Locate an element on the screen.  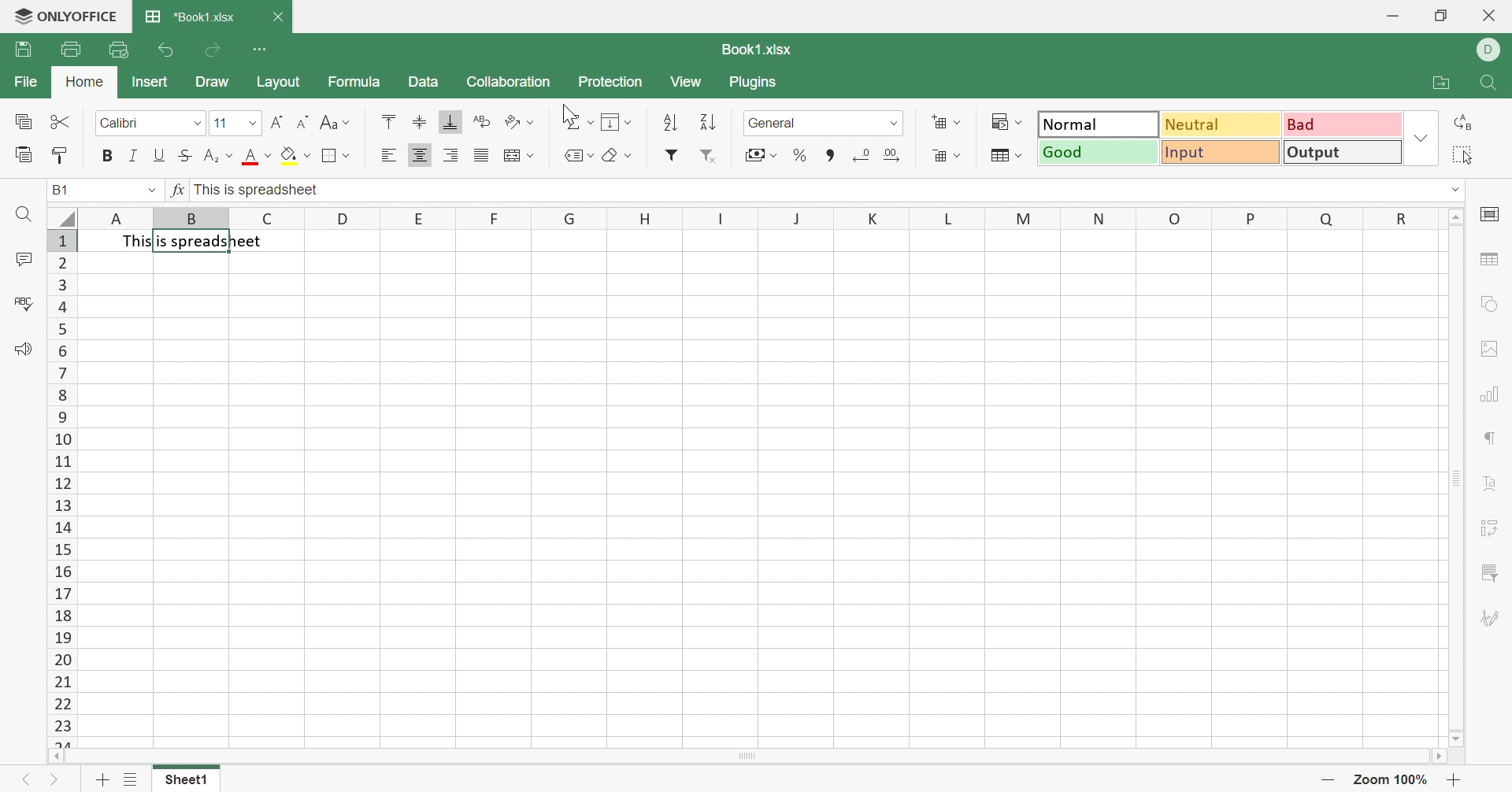
Drop Down is located at coordinates (1020, 123).